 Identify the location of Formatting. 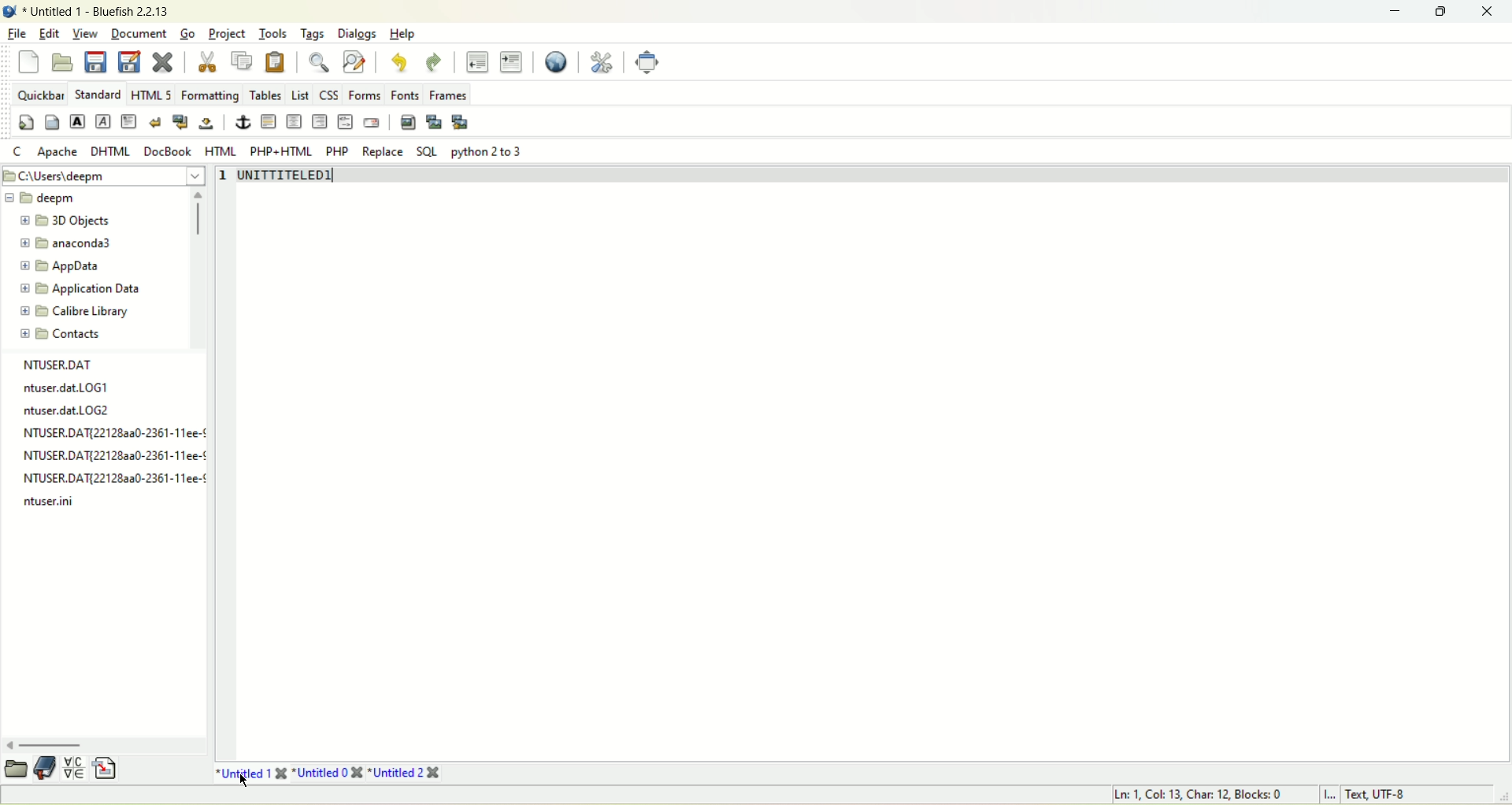
(208, 93).